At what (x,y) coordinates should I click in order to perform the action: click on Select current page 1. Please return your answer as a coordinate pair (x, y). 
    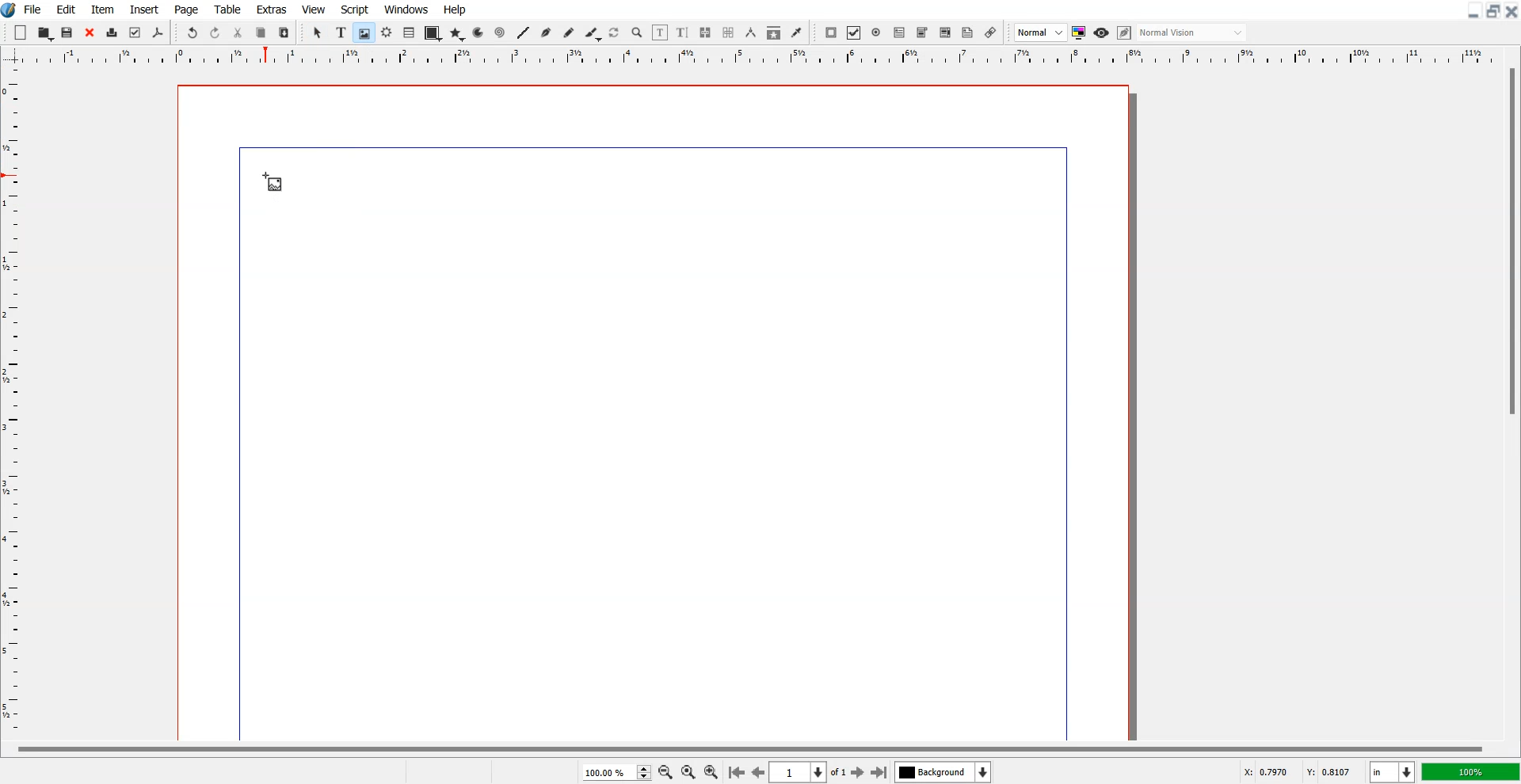
    Looking at the image, I should click on (810, 772).